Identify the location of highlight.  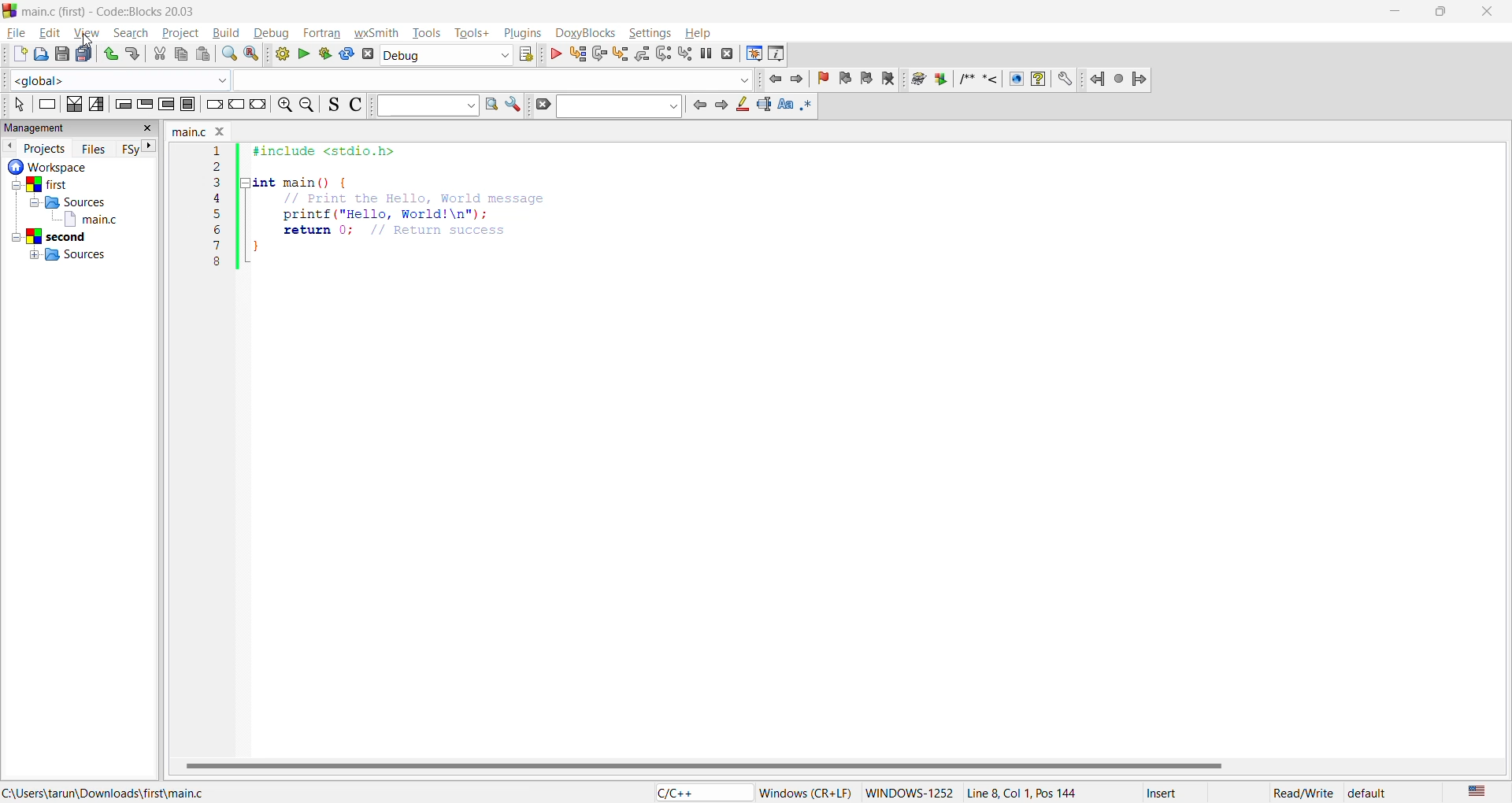
(743, 105).